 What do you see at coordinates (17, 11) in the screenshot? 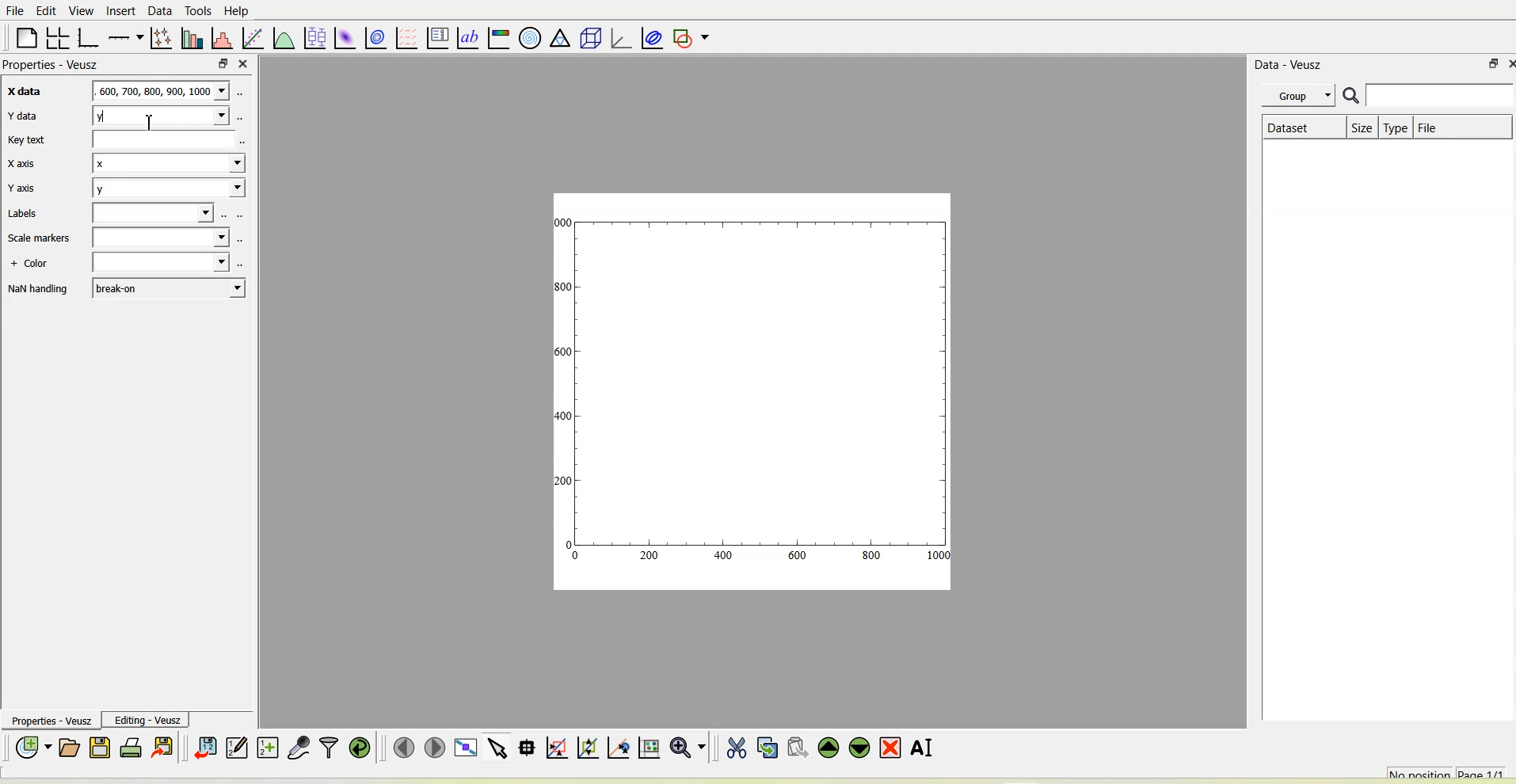
I see `File` at bounding box center [17, 11].